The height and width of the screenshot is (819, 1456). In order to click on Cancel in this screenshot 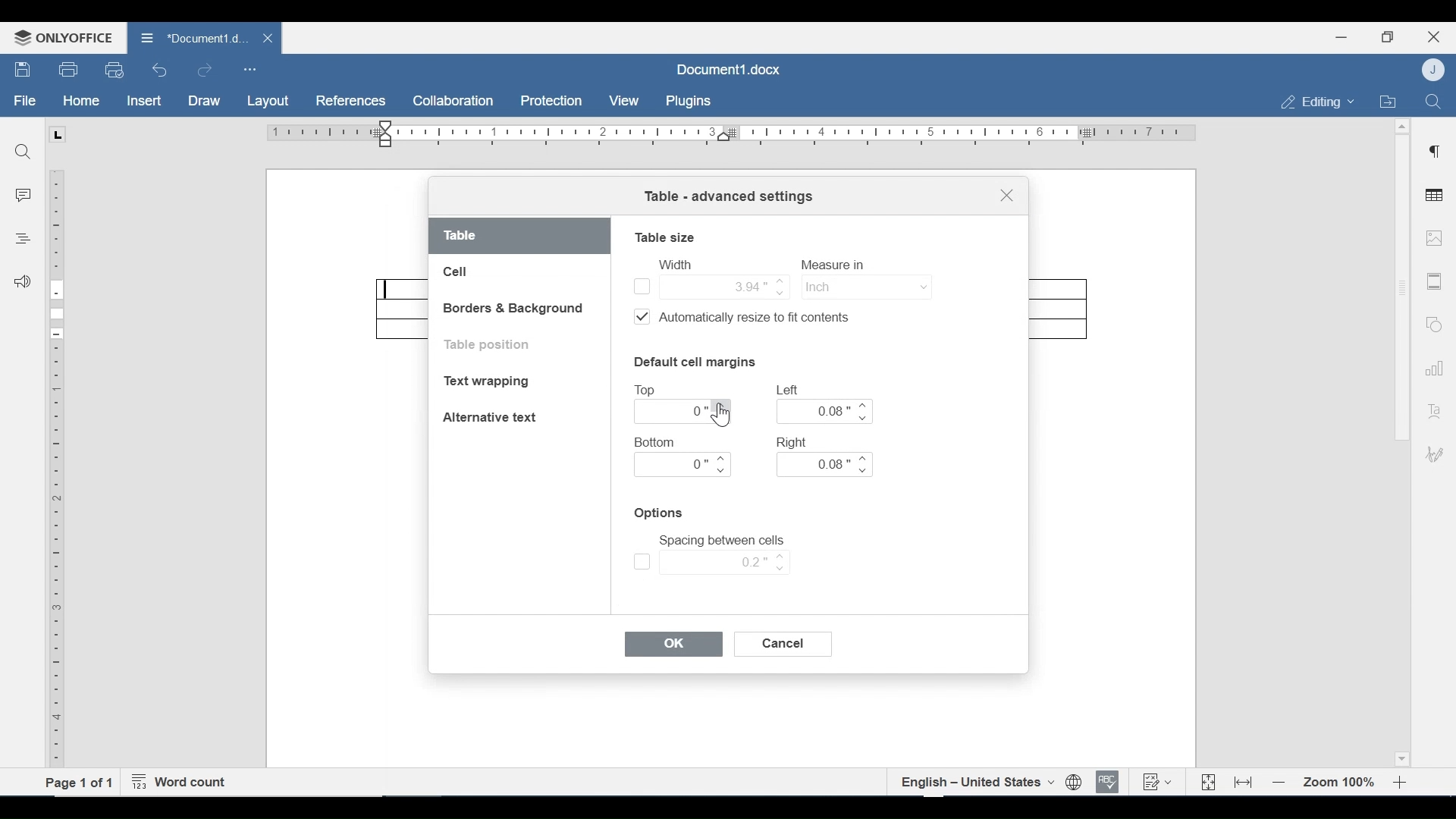, I will do `click(785, 644)`.